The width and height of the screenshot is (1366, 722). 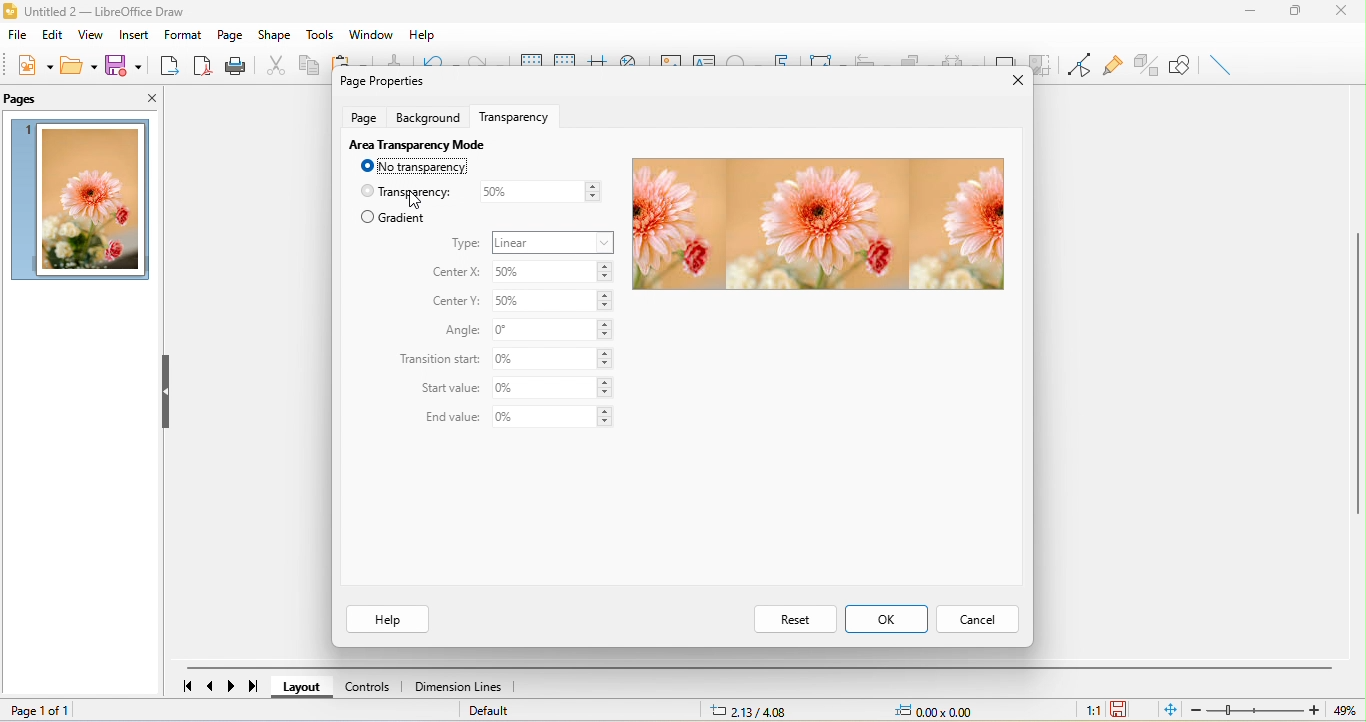 I want to click on dimension lines, so click(x=463, y=687).